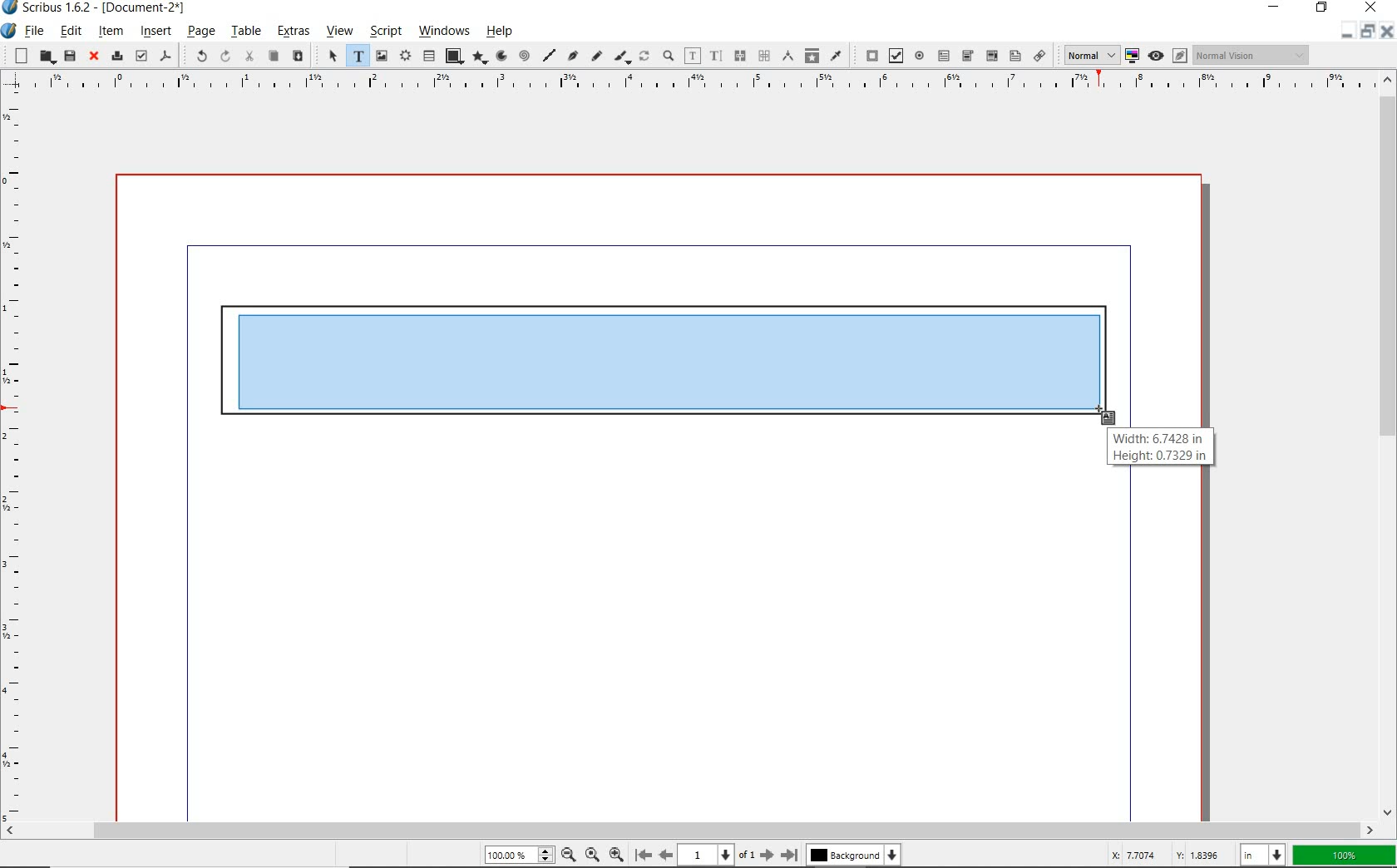 This screenshot has height=868, width=1397. I want to click on select item, so click(332, 55).